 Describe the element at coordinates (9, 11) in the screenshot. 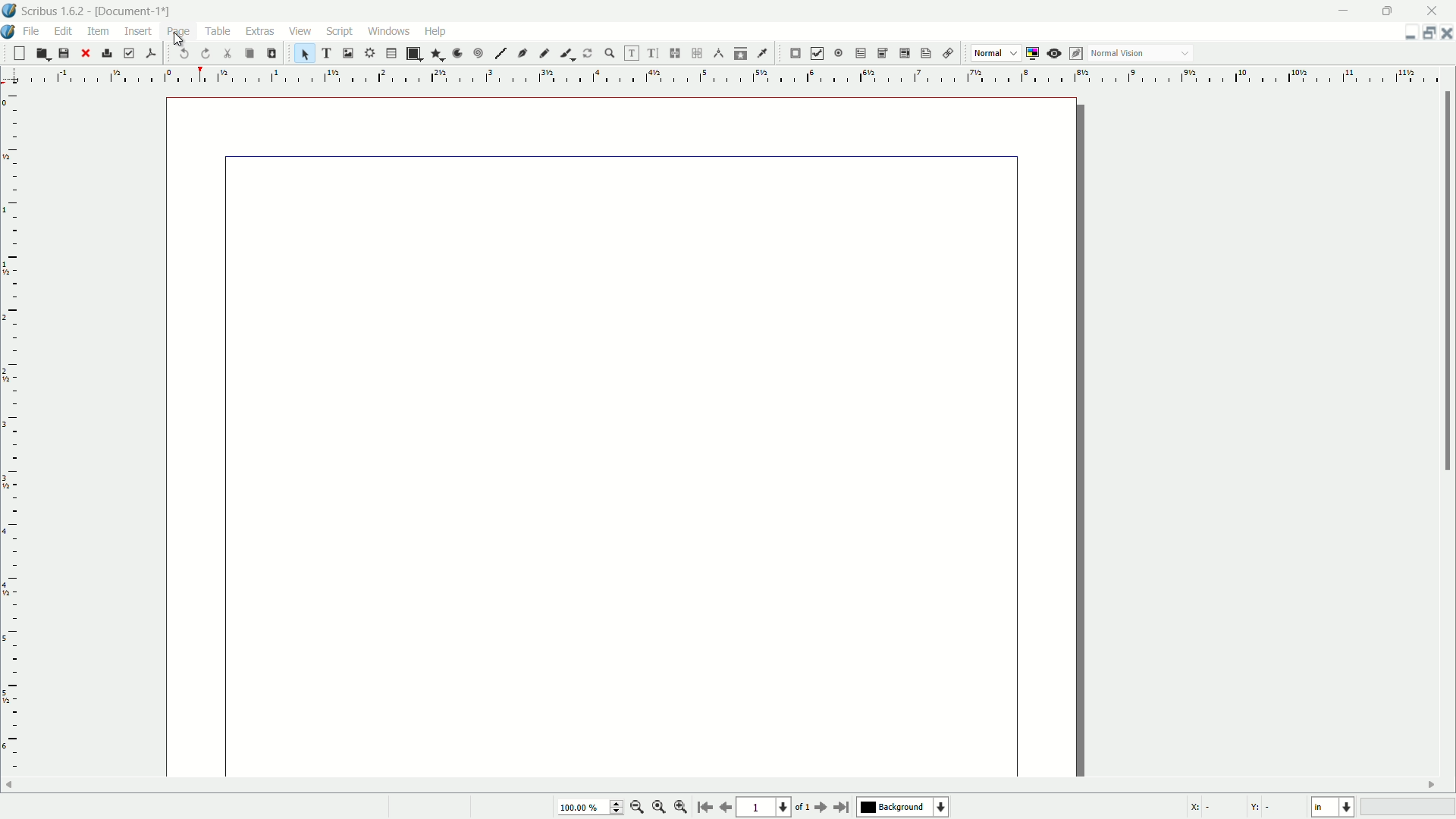

I see `app icon` at that location.